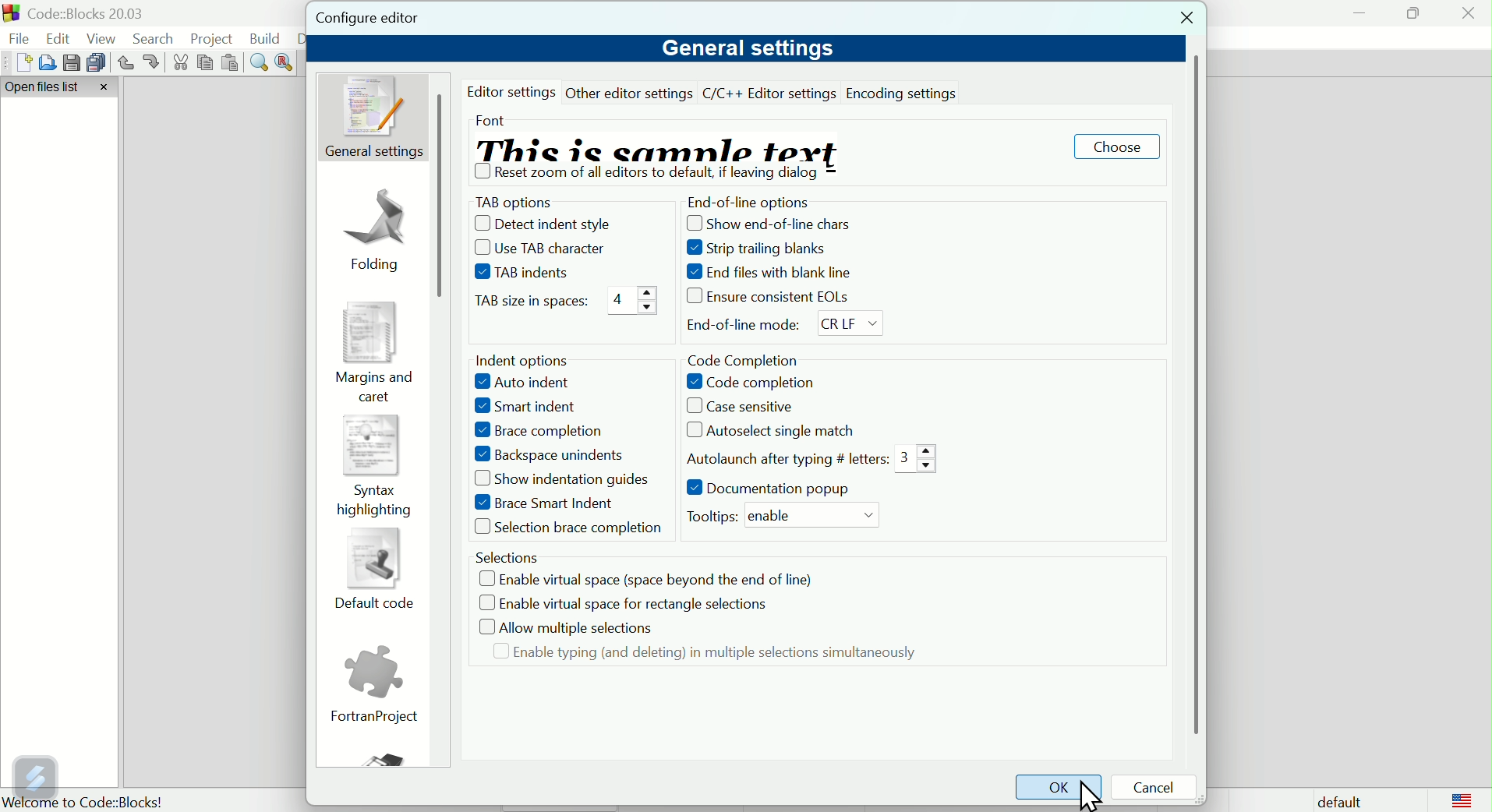  Describe the element at coordinates (371, 351) in the screenshot. I see `Margins and caret` at that location.